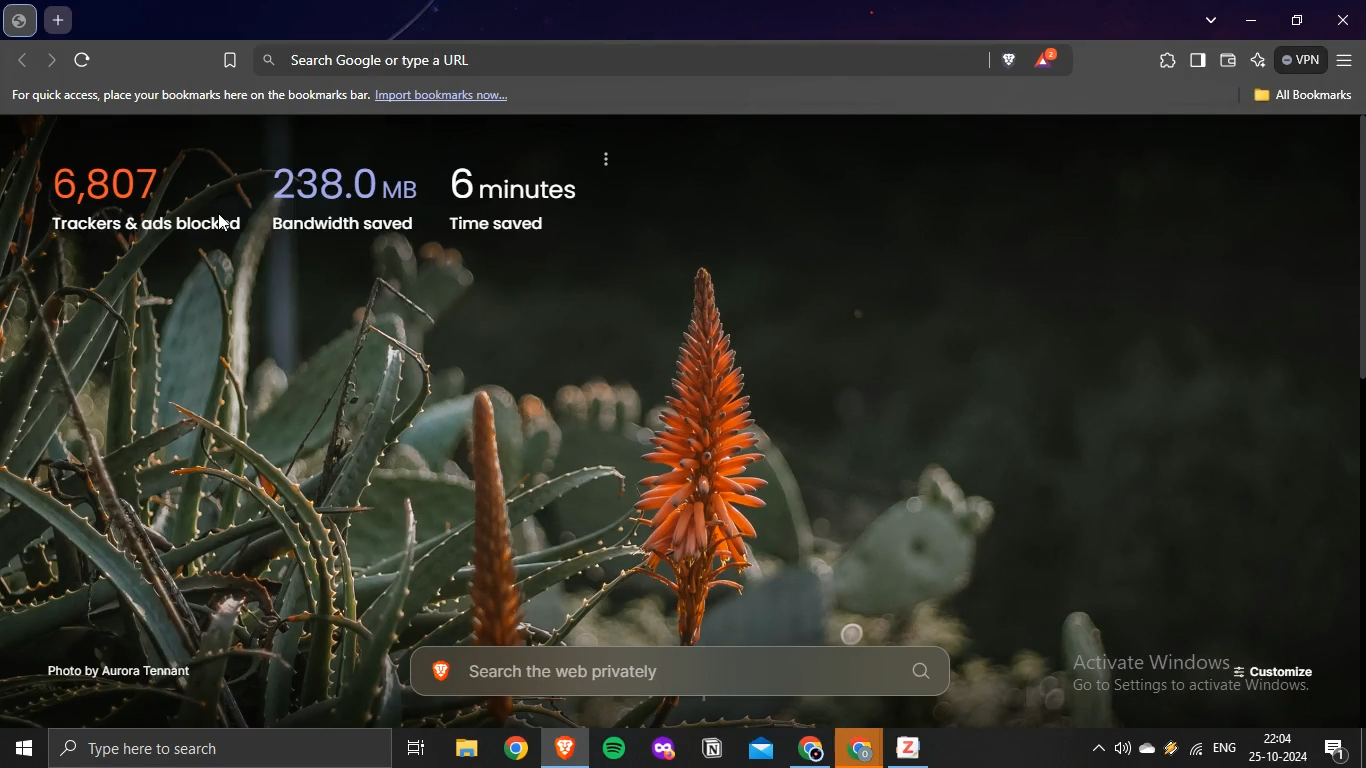  What do you see at coordinates (710, 747) in the screenshot?
I see `notion` at bounding box center [710, 747].